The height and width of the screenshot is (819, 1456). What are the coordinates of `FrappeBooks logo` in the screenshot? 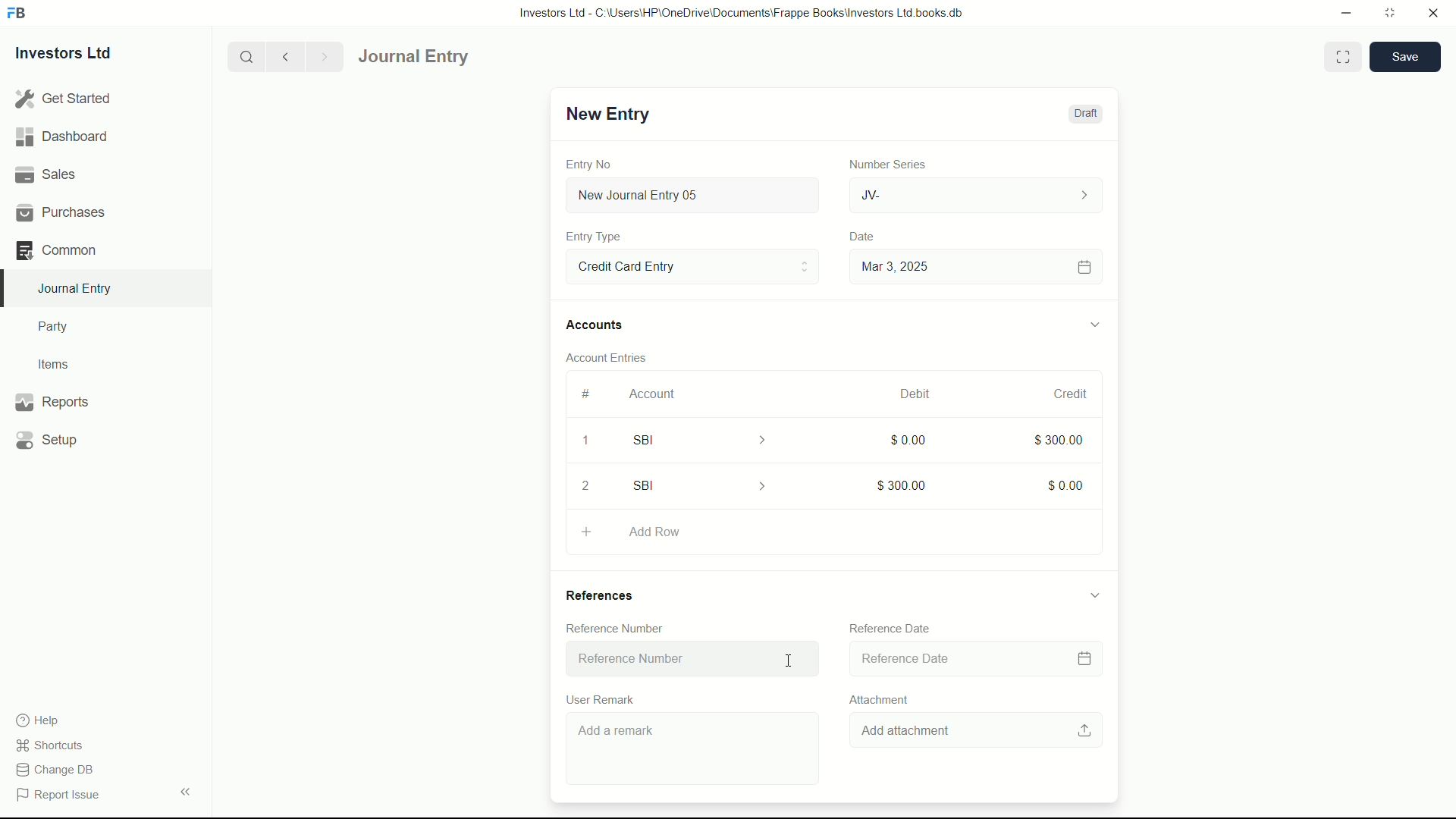 It's located at (17, 14).